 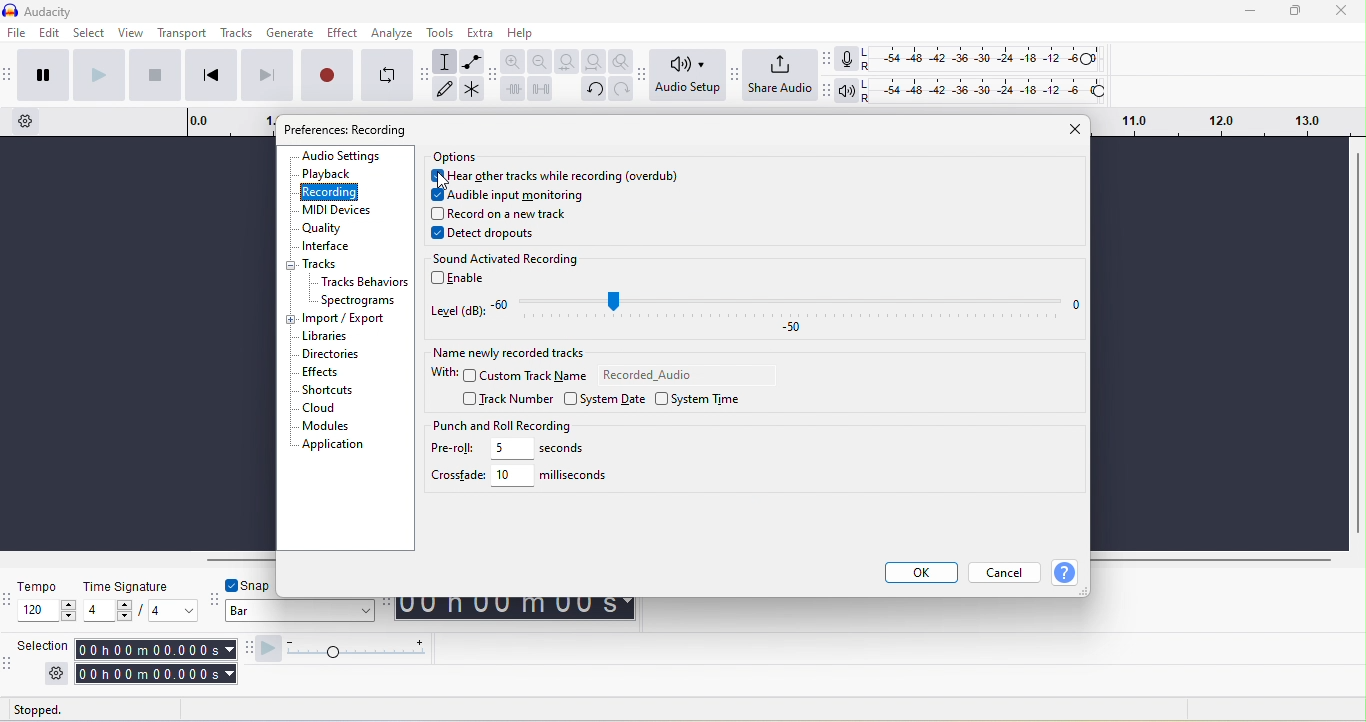 What do you see at coordinates (504, 215) in the screenshot?
I see `record on a new track` at bounding box center [504, 215].